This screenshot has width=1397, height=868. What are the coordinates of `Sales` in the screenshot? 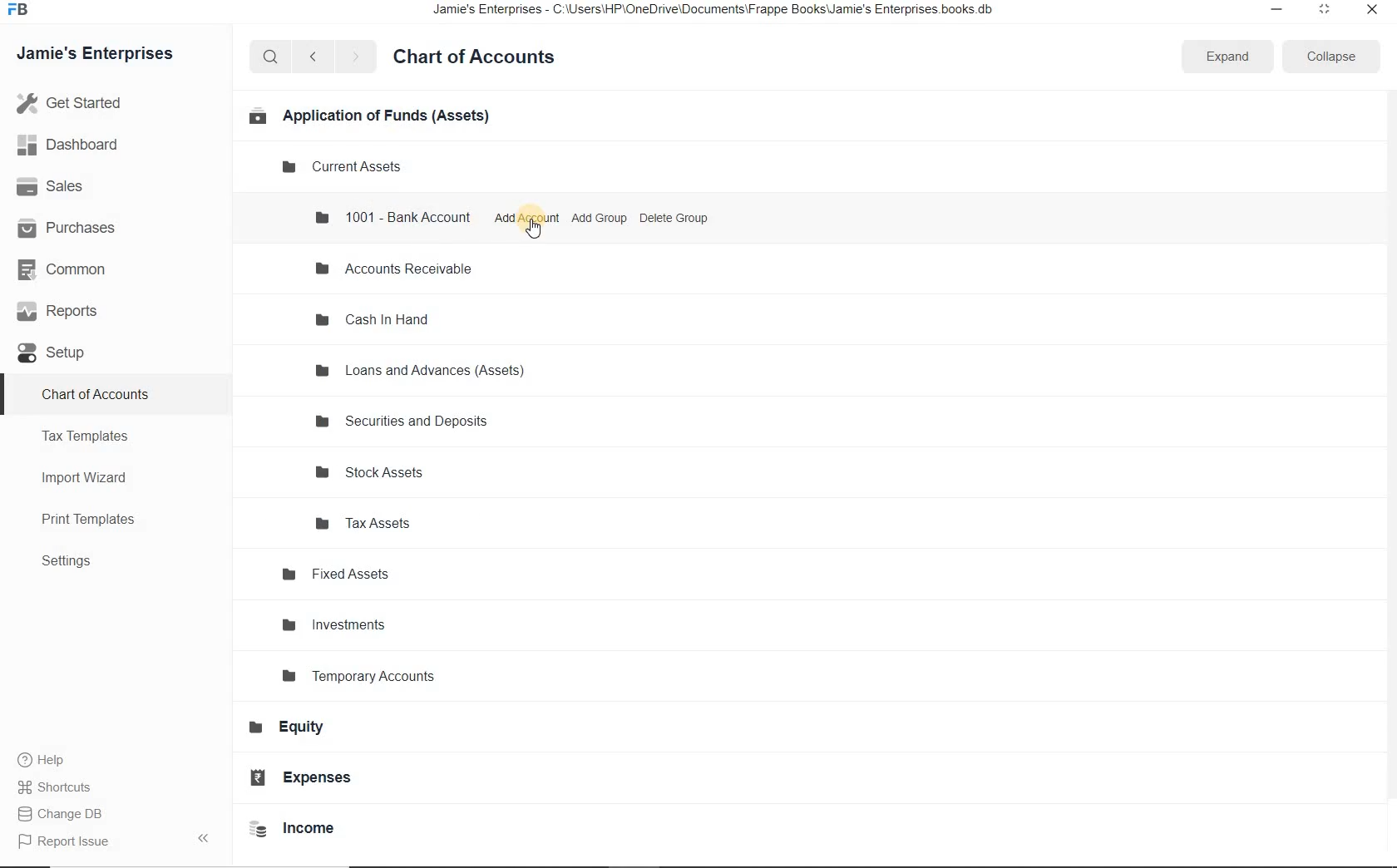 It's located at (72, 187).